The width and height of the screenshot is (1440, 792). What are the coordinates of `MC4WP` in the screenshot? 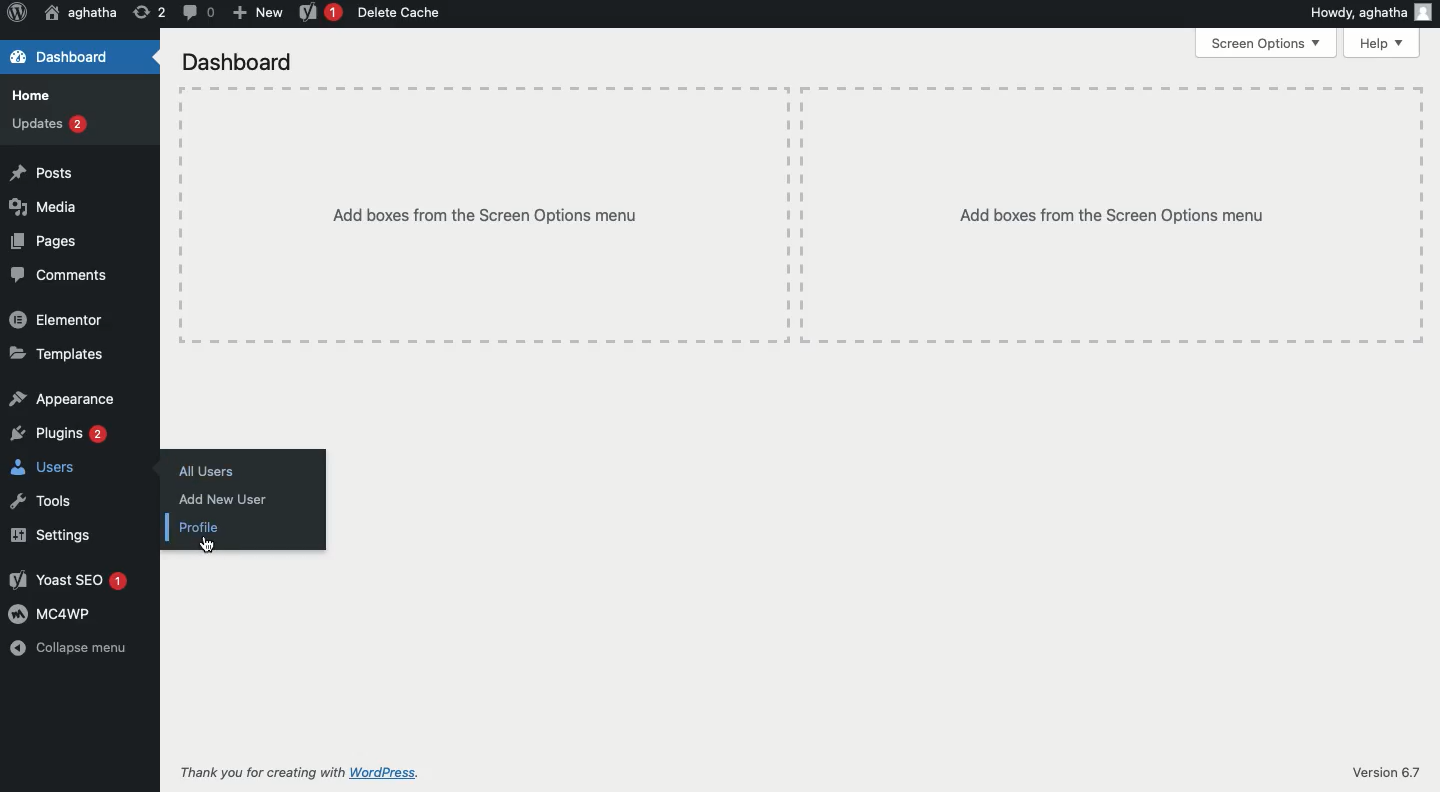 It's located at (51, 614).